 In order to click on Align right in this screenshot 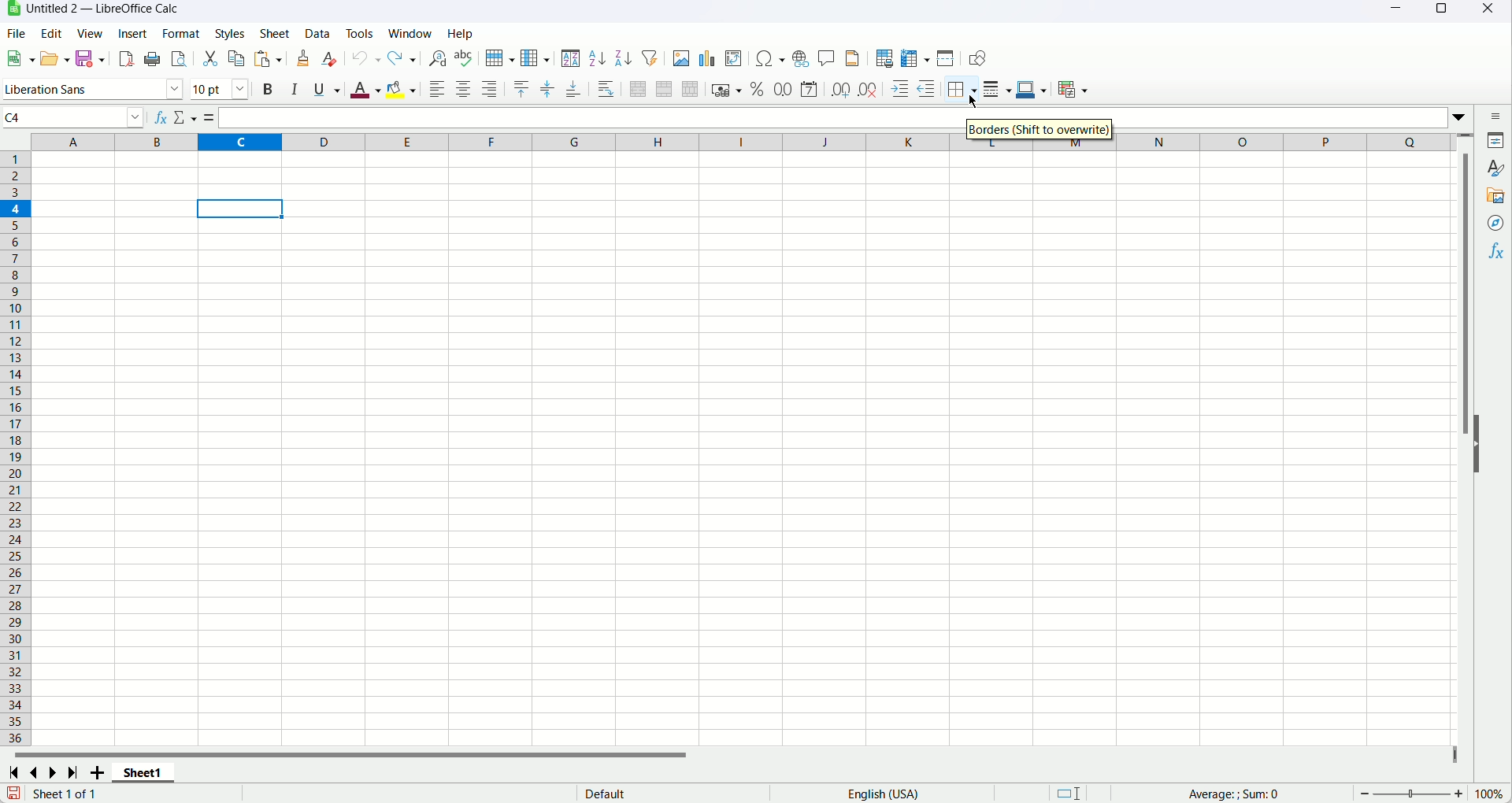, I will do `click(489, 90)`.